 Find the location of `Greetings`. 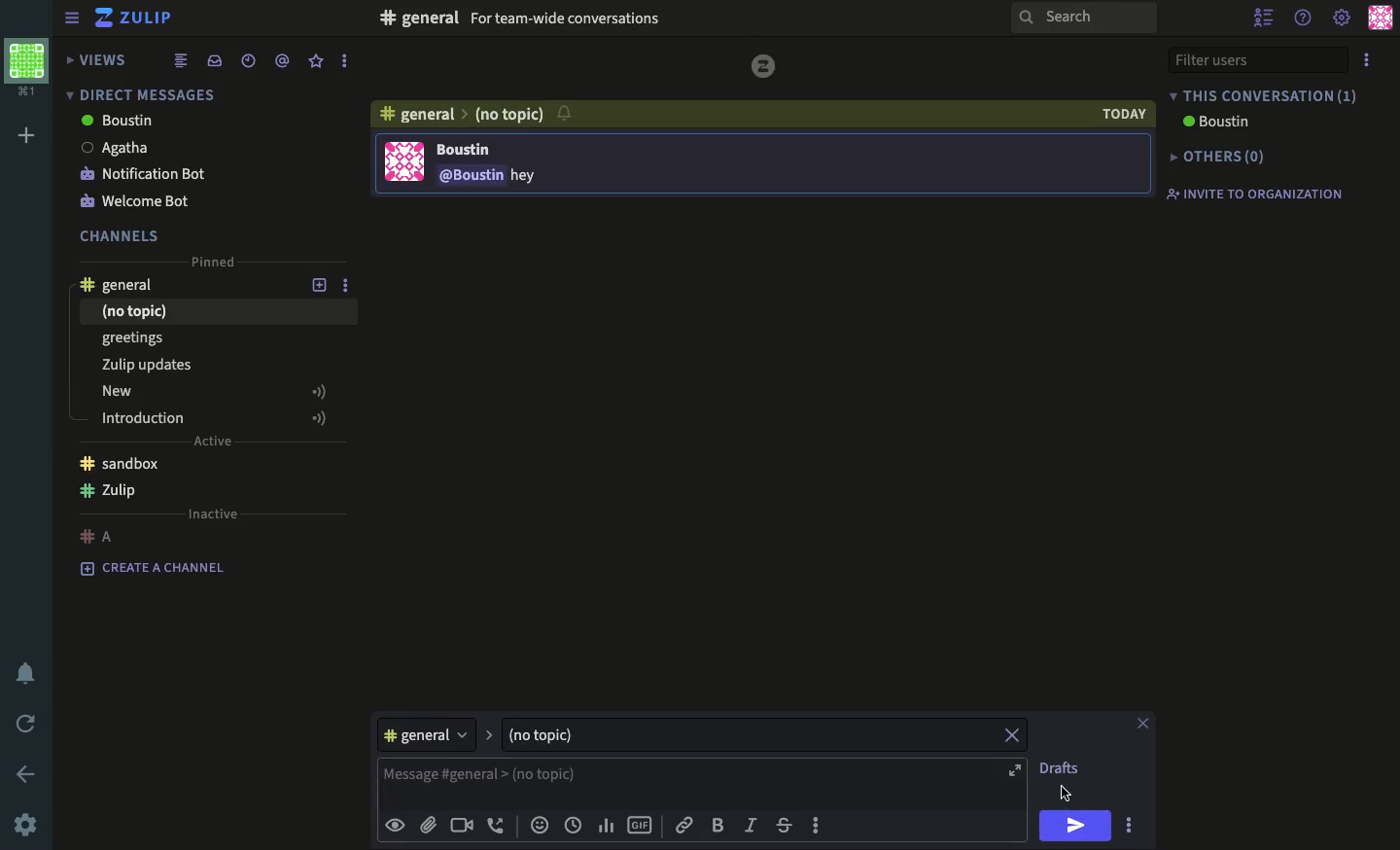

Greetings is located at coordinates (145, 337).